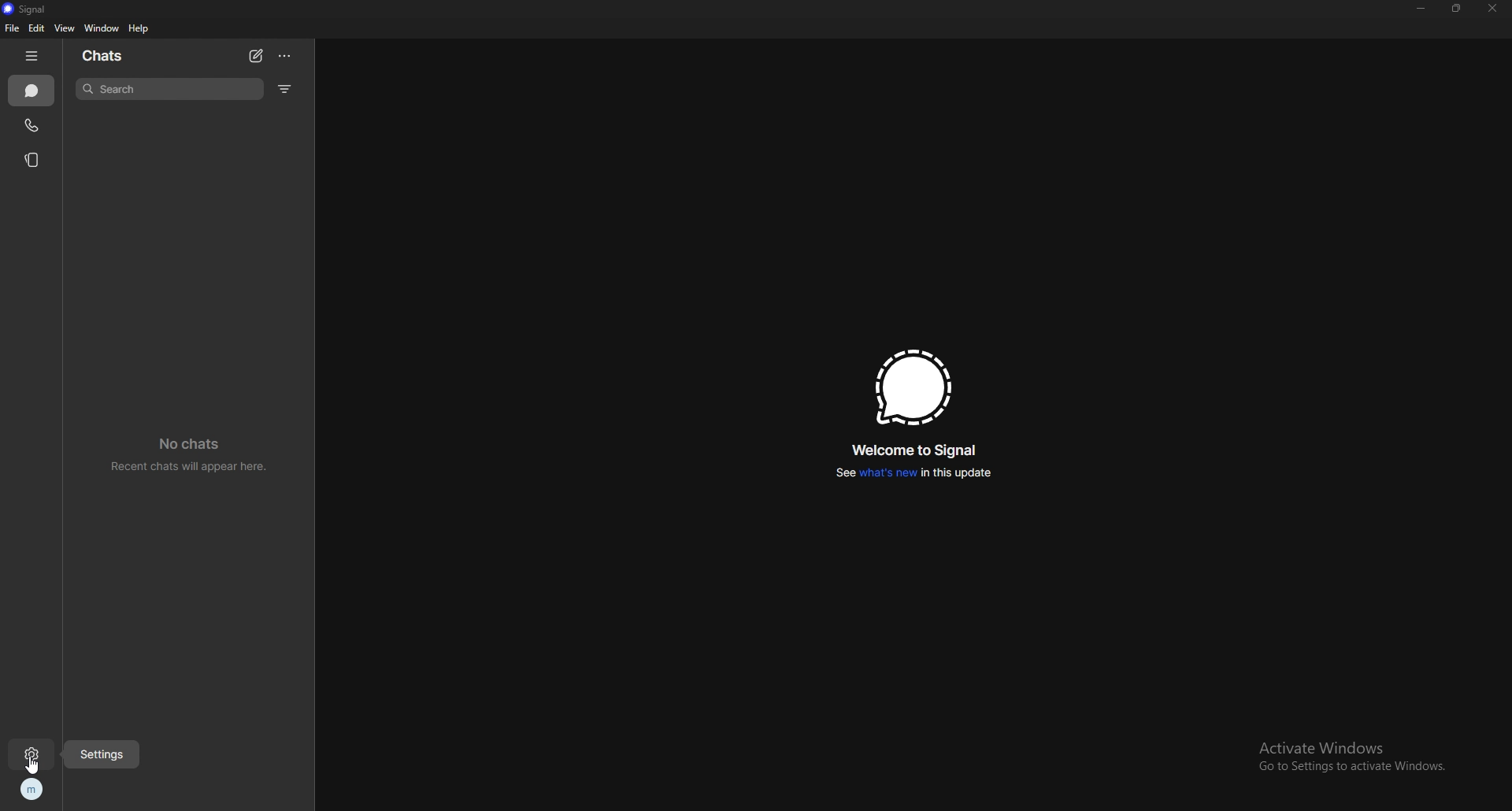  I want to click on help, so click(139, 28).